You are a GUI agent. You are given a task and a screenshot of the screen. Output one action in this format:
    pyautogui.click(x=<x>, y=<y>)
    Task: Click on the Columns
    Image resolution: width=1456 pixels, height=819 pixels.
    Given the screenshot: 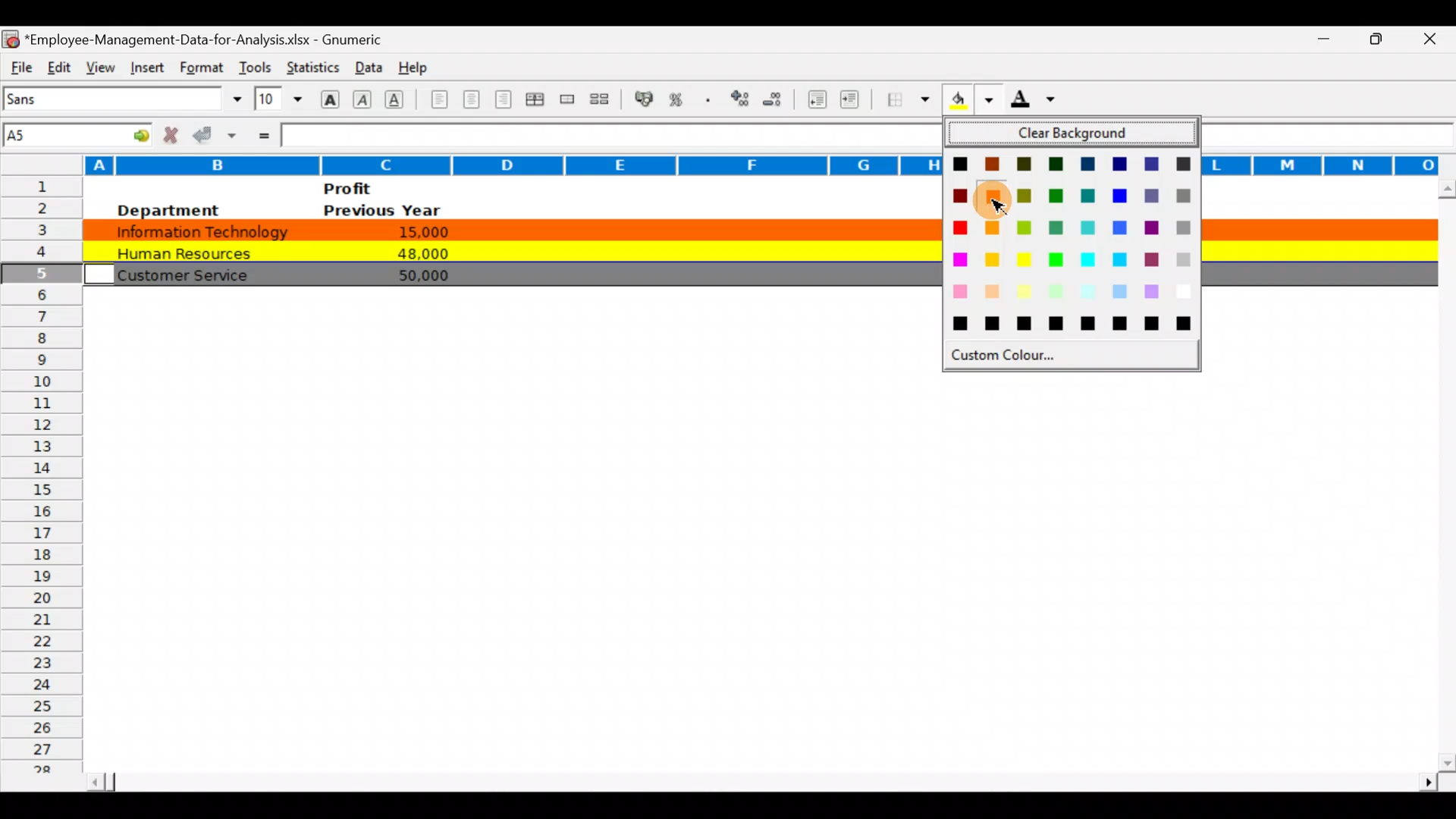 What is the action you would take?
    pyautogui.click(x=467, y=163)
    